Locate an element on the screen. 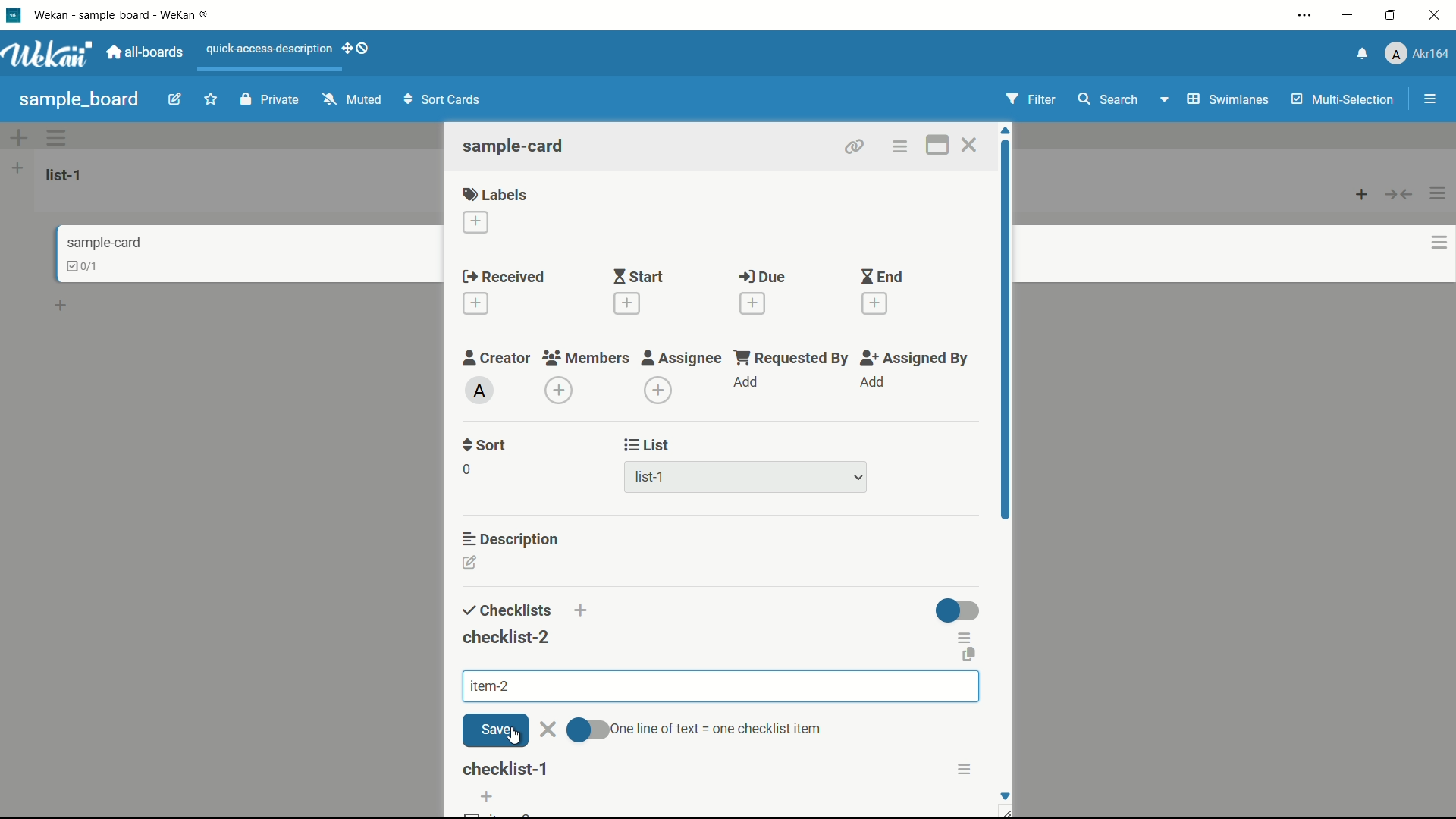  board name is located at coordinates (79, 99).